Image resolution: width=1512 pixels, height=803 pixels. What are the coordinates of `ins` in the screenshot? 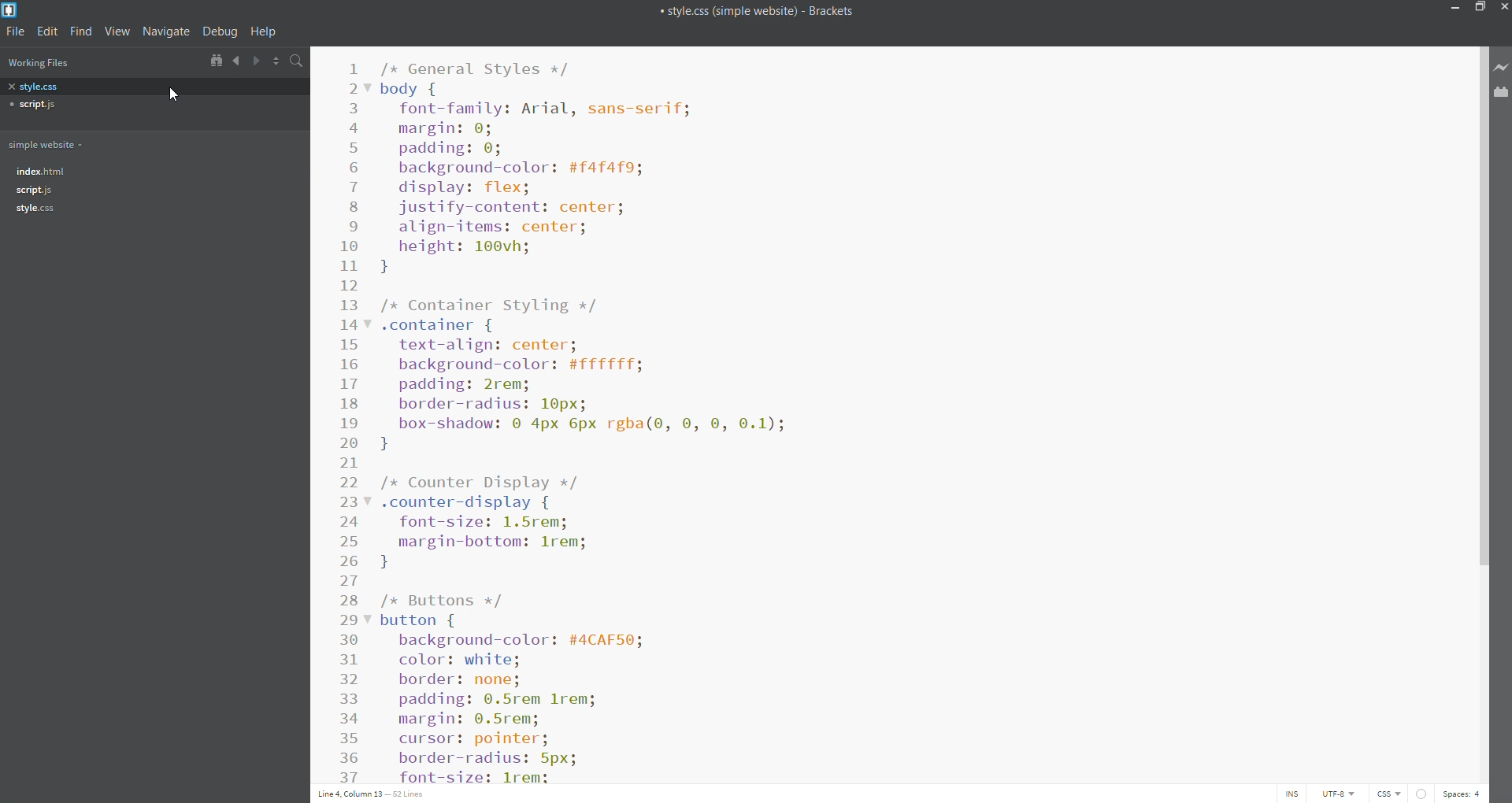 It's located at (1293, 794).